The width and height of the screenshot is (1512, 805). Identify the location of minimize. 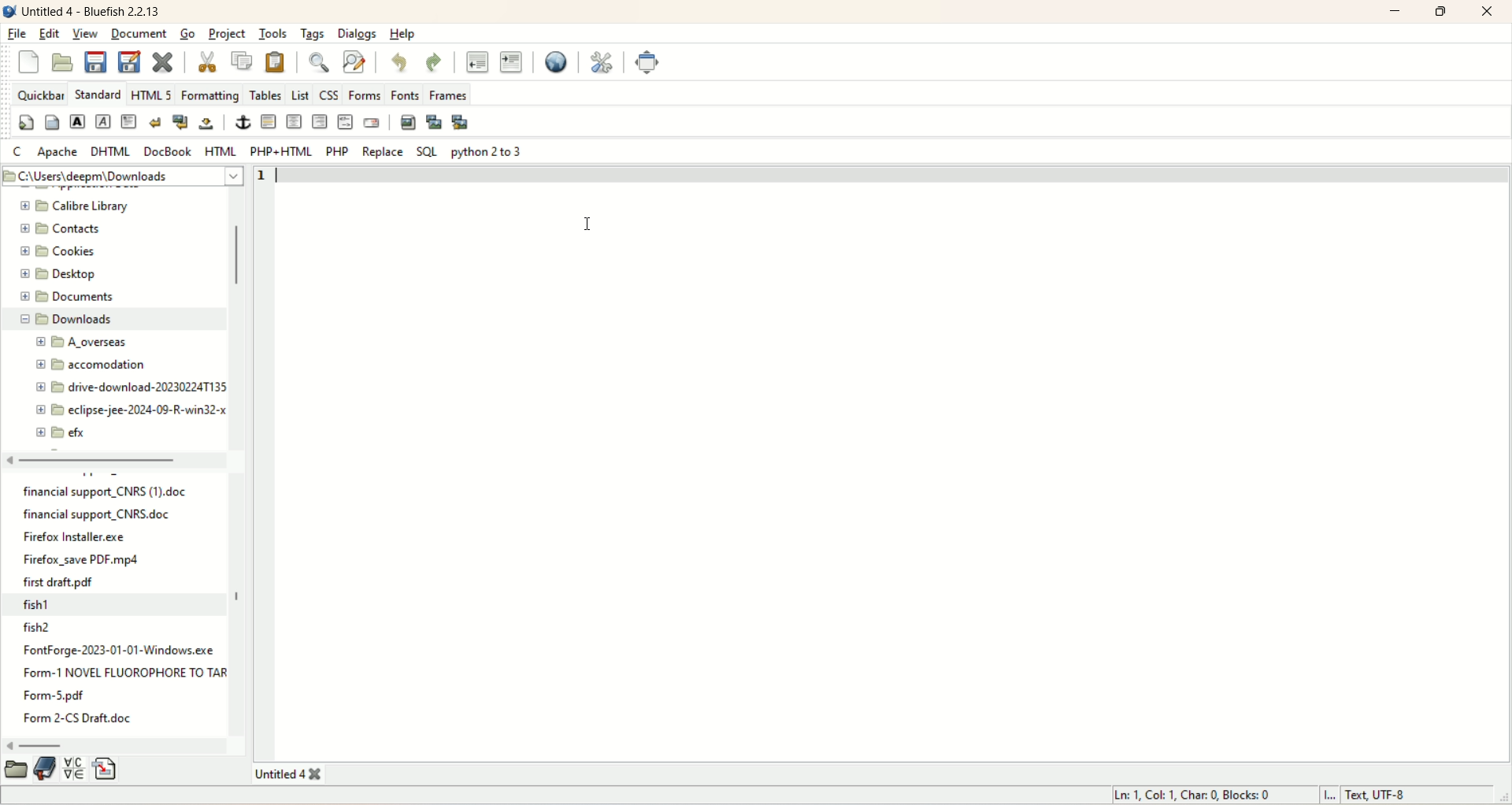
(1393, 13).